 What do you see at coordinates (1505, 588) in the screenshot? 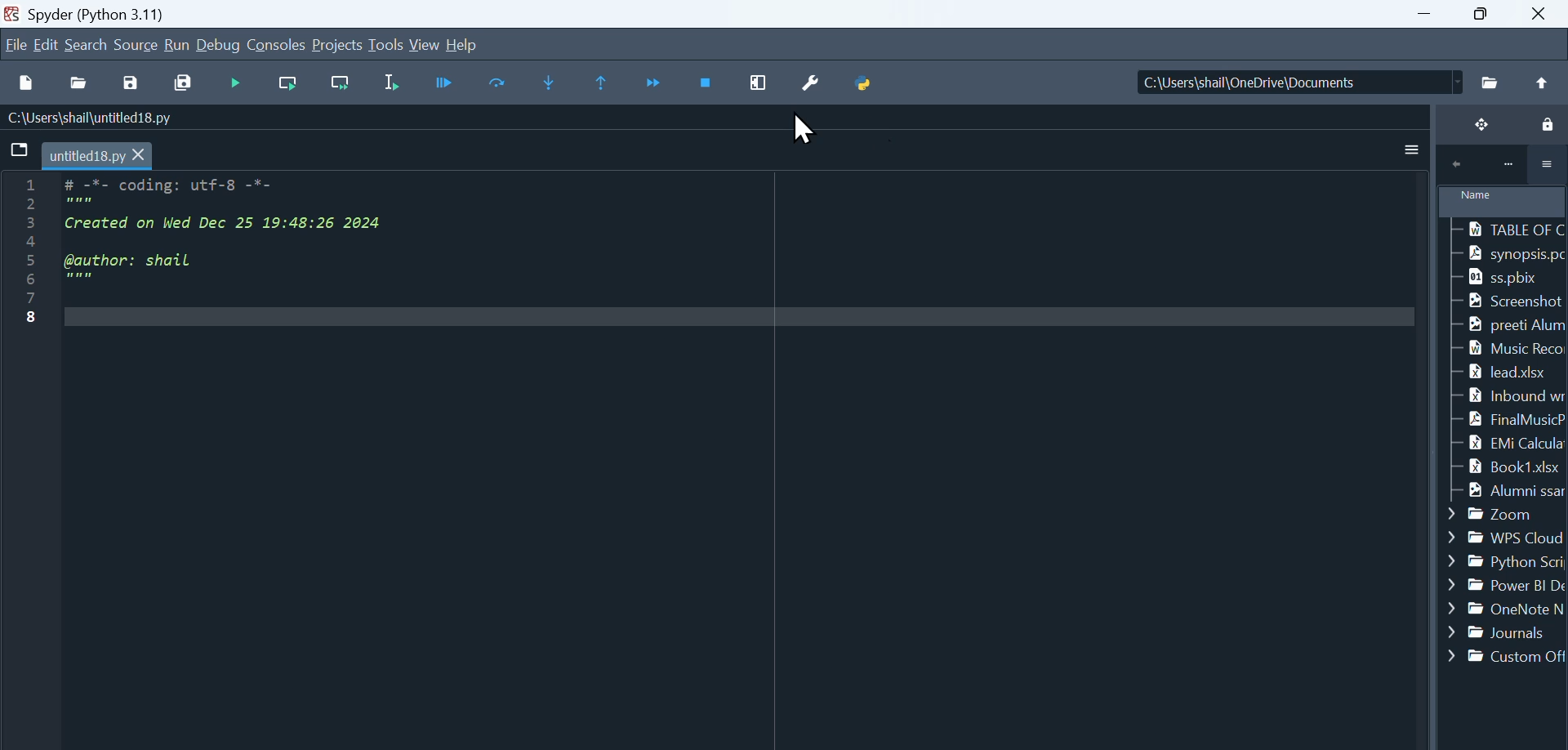
I see `Power BI D..` at bounding box center [1505, 588].